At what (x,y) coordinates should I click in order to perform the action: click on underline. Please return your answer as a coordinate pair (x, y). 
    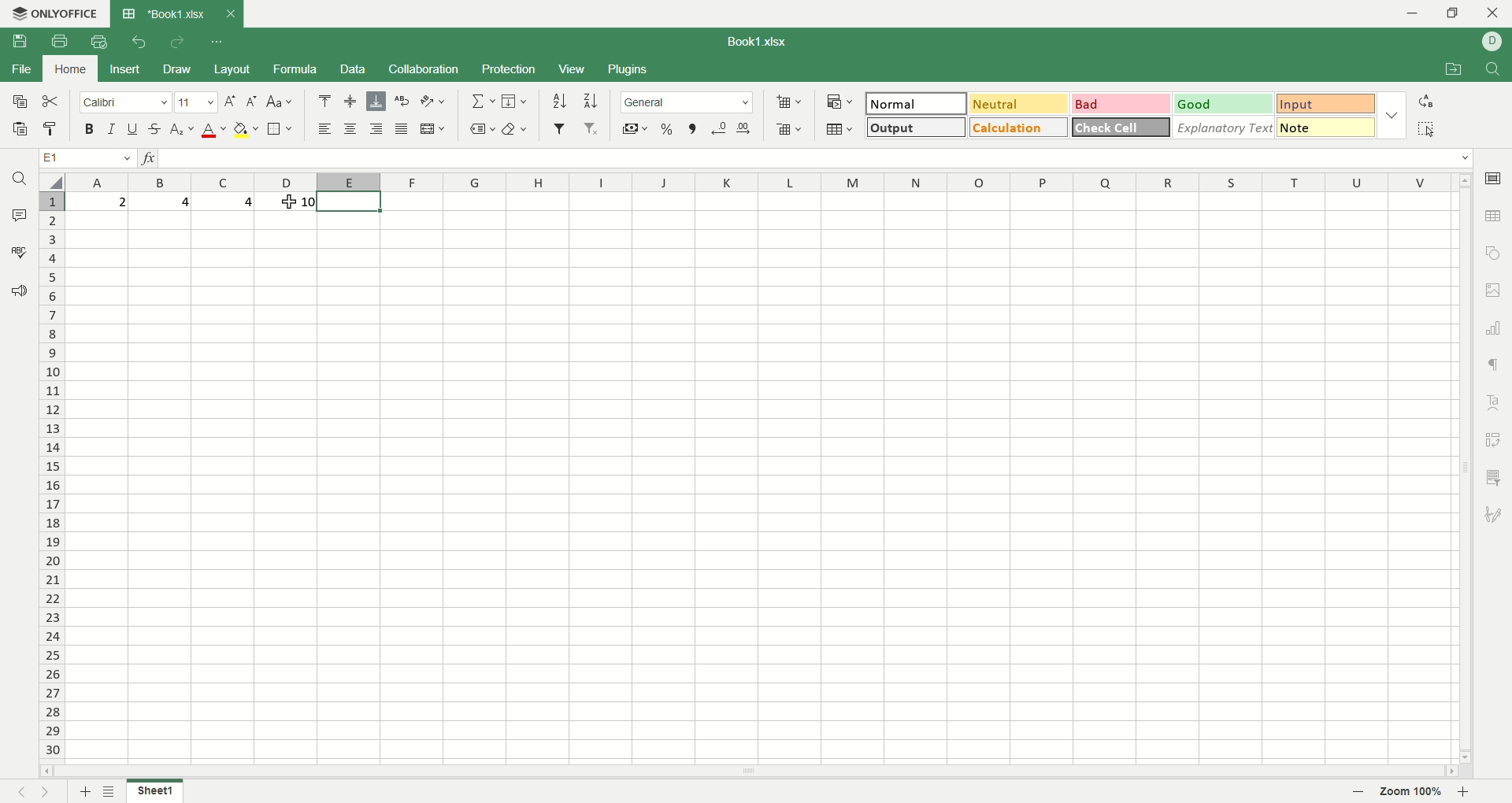
    Looking at the image, I should click on (134, 129).